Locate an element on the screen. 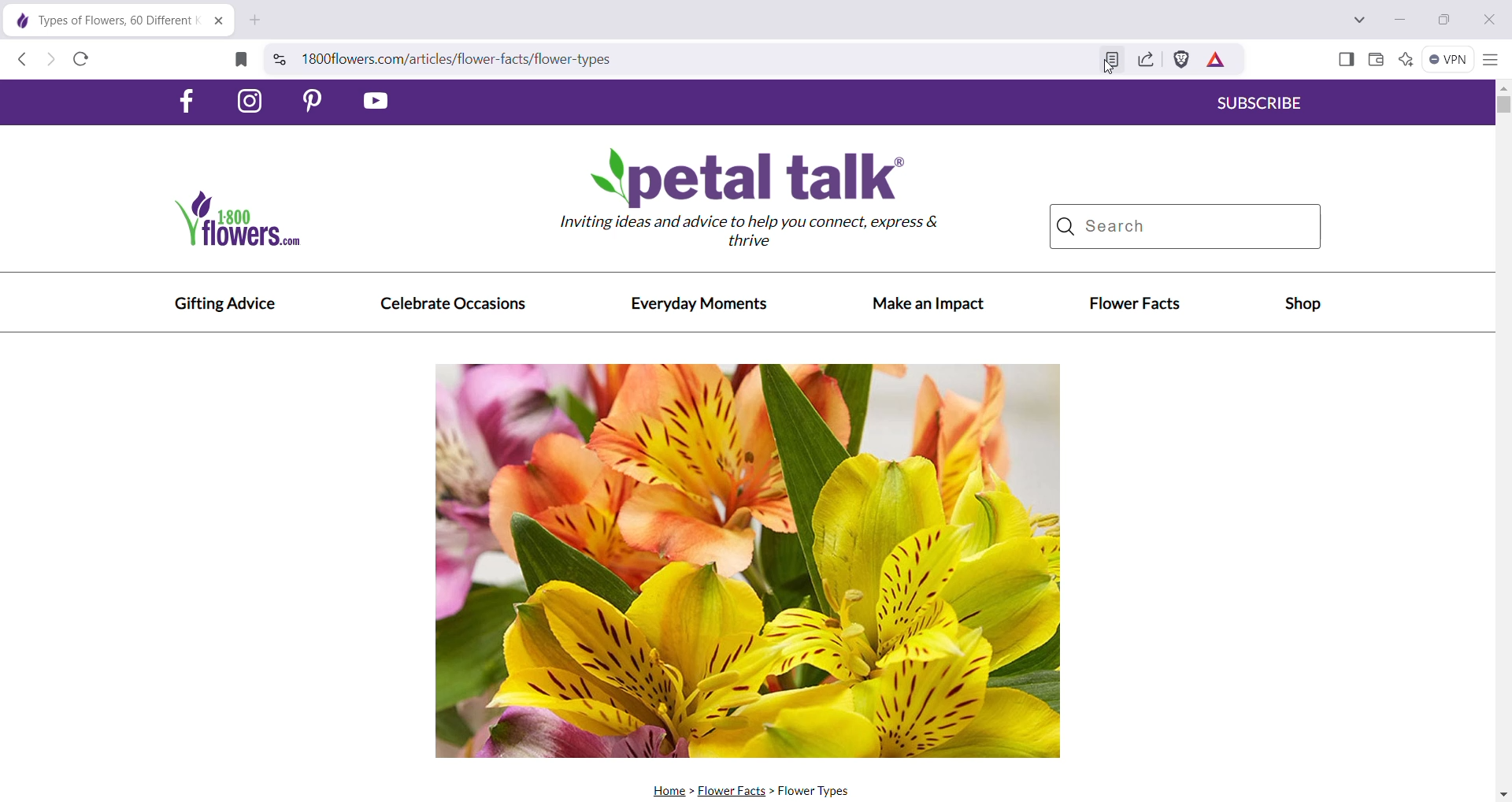 This screenshot has height=802, width=1512. Minimize is located at coordinates (1400, 18).